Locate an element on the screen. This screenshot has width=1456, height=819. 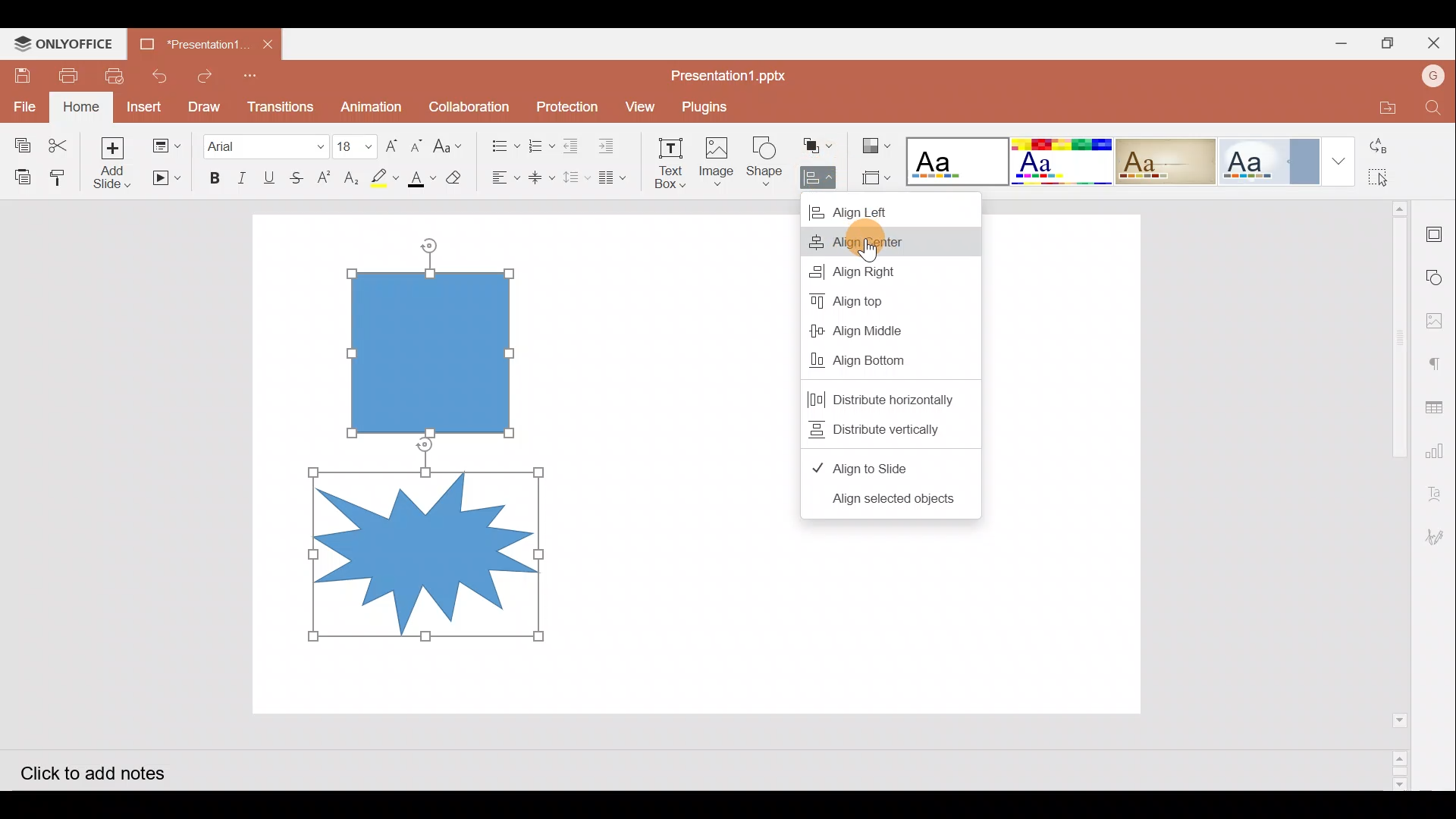
Superscript is located at coordinates (325, 178).